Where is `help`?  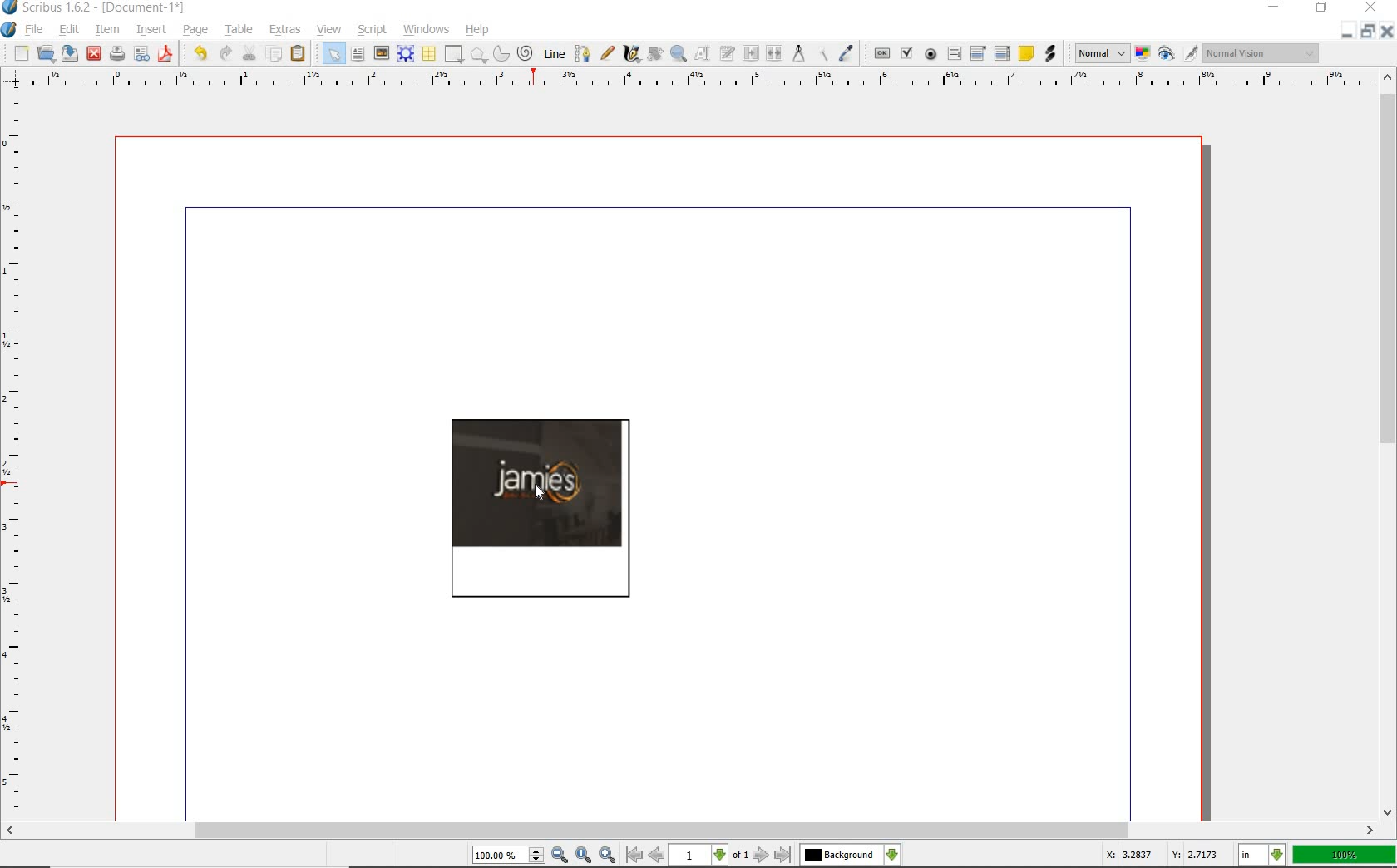
help is located at coordinates (480, 30).